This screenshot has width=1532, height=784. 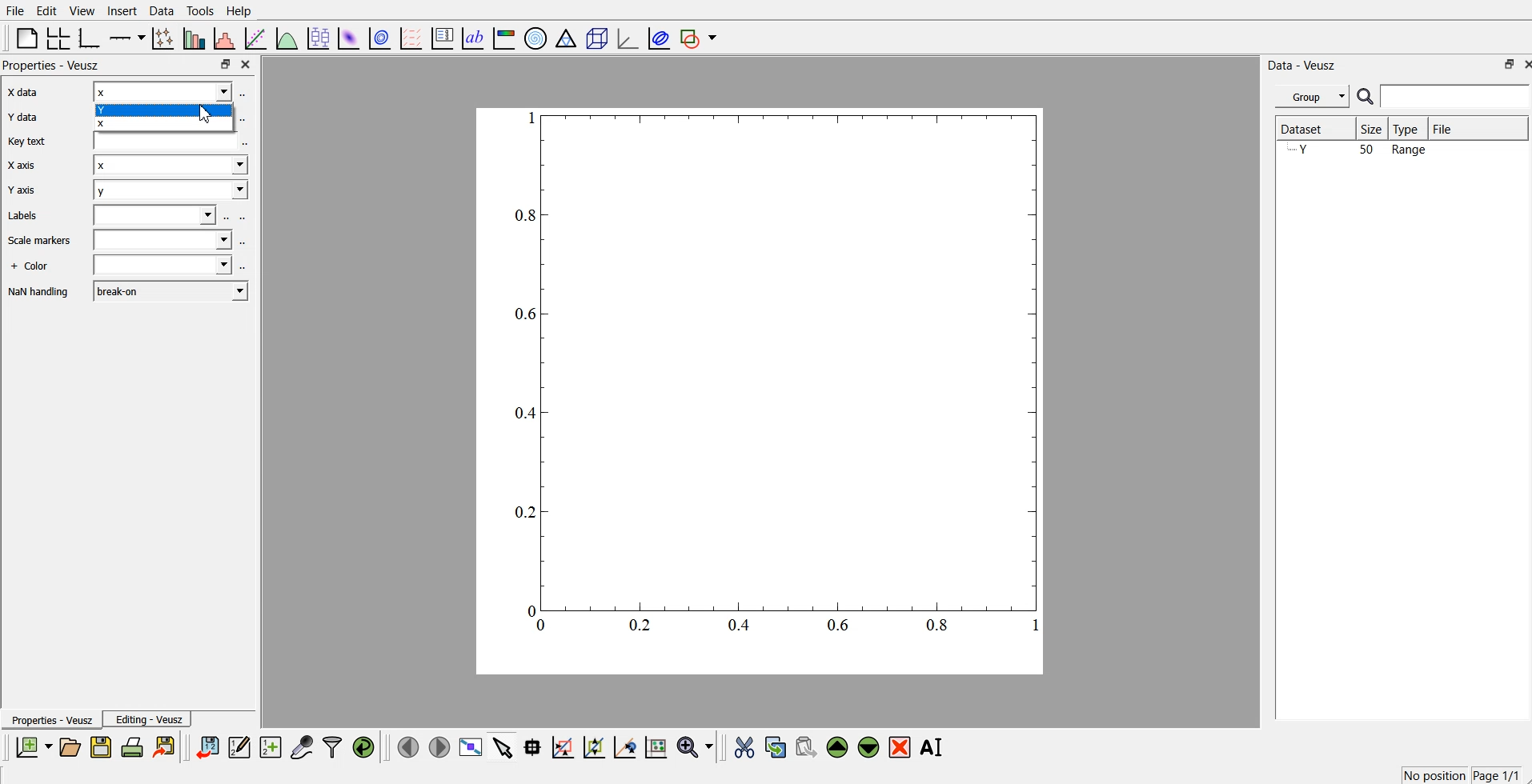 I want to click on x, so click(x=171, y=167).